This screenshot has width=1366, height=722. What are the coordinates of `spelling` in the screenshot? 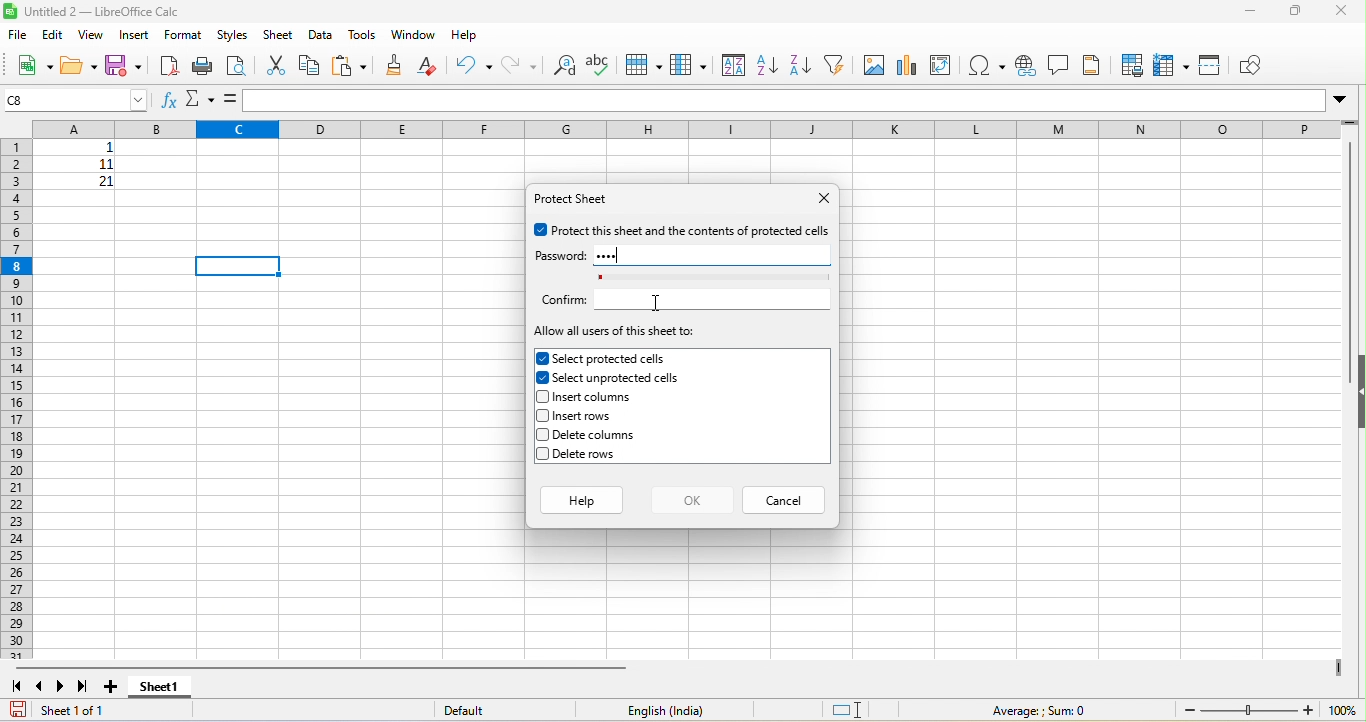 It's located at (598, 64).